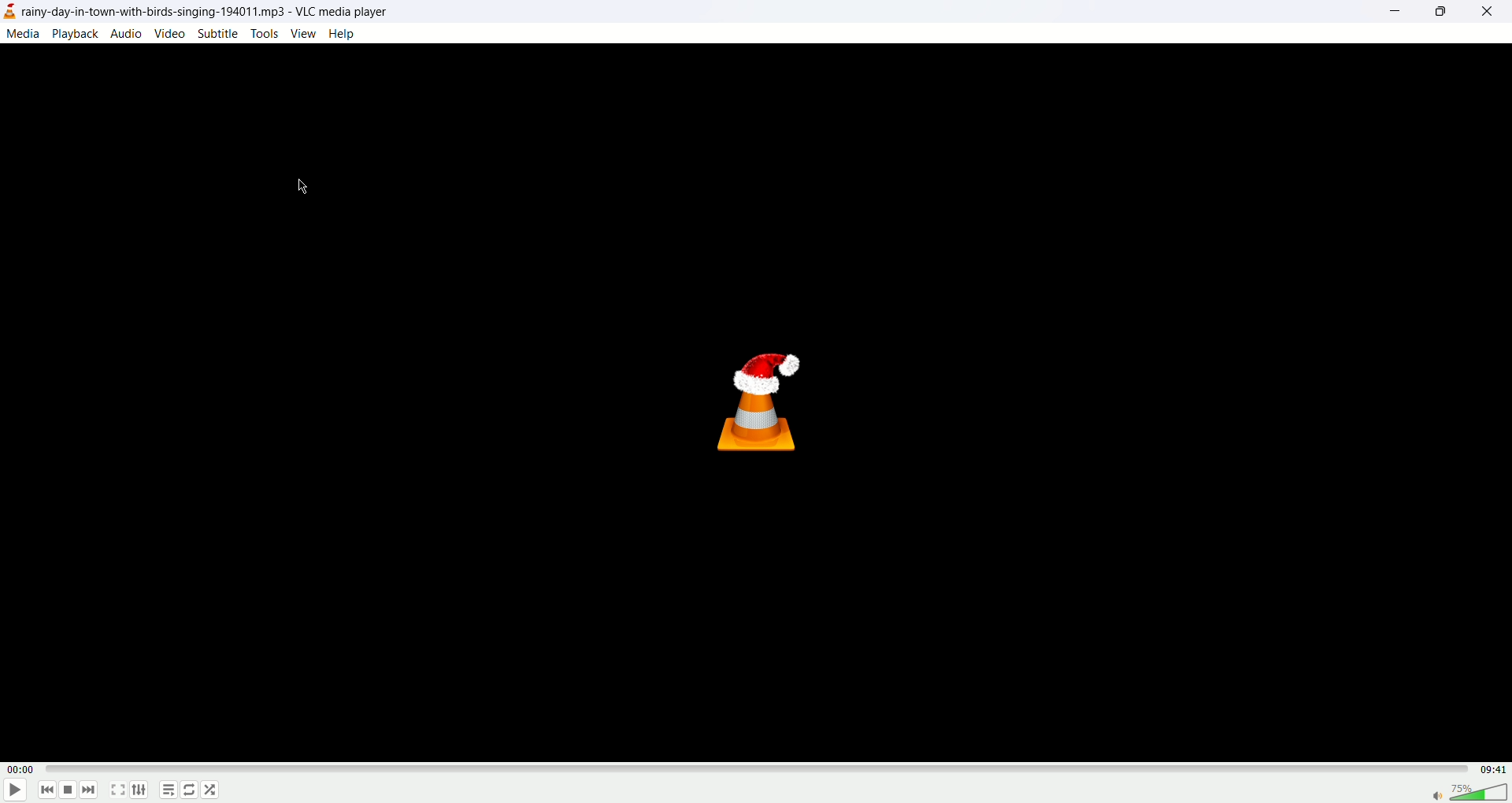  I want to click on playback, so click(77, 33).